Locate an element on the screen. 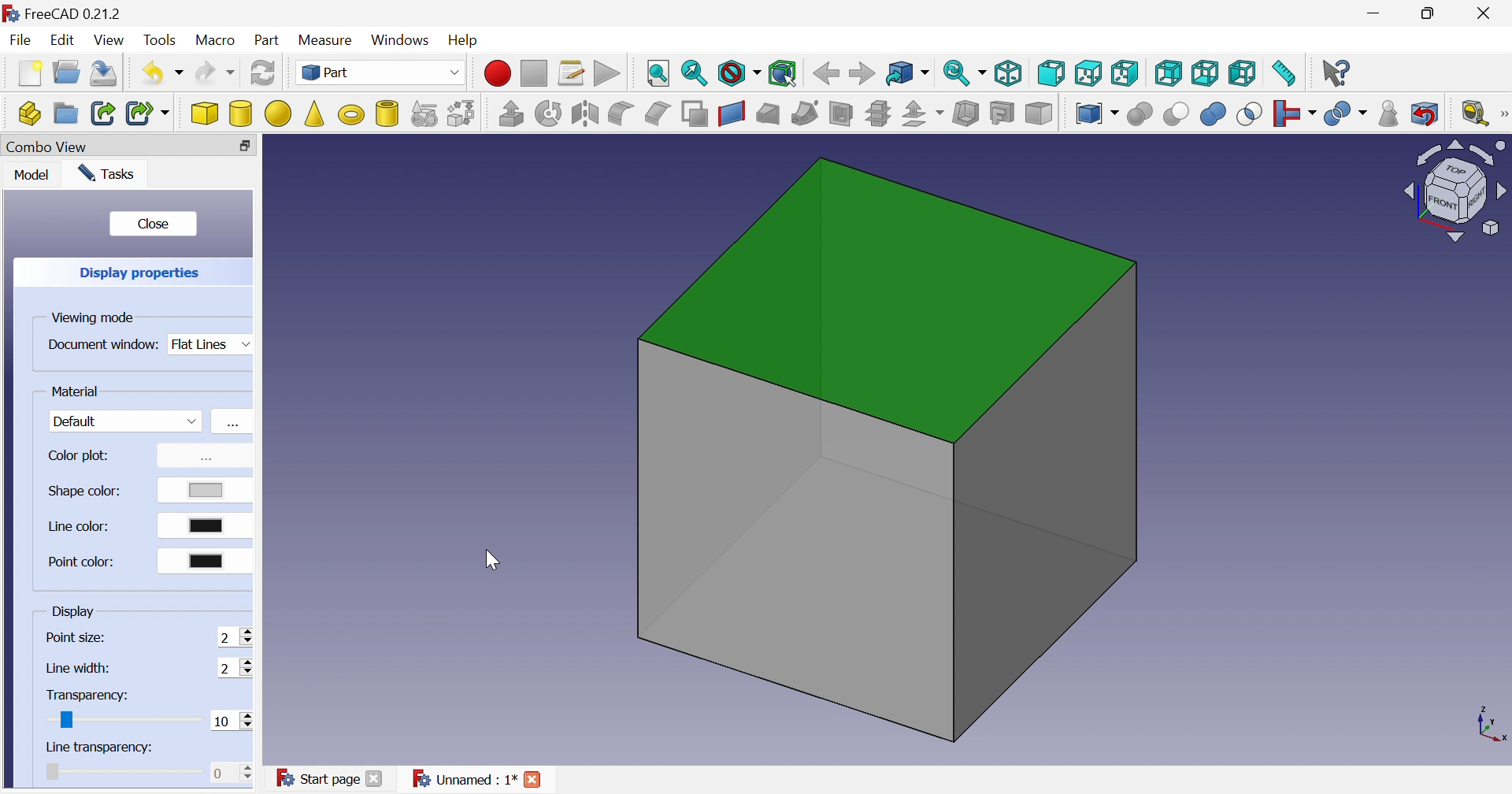 Image resolution: width=1512 pixels, height=794 pixels. Help is located at coordinates (464, 41).